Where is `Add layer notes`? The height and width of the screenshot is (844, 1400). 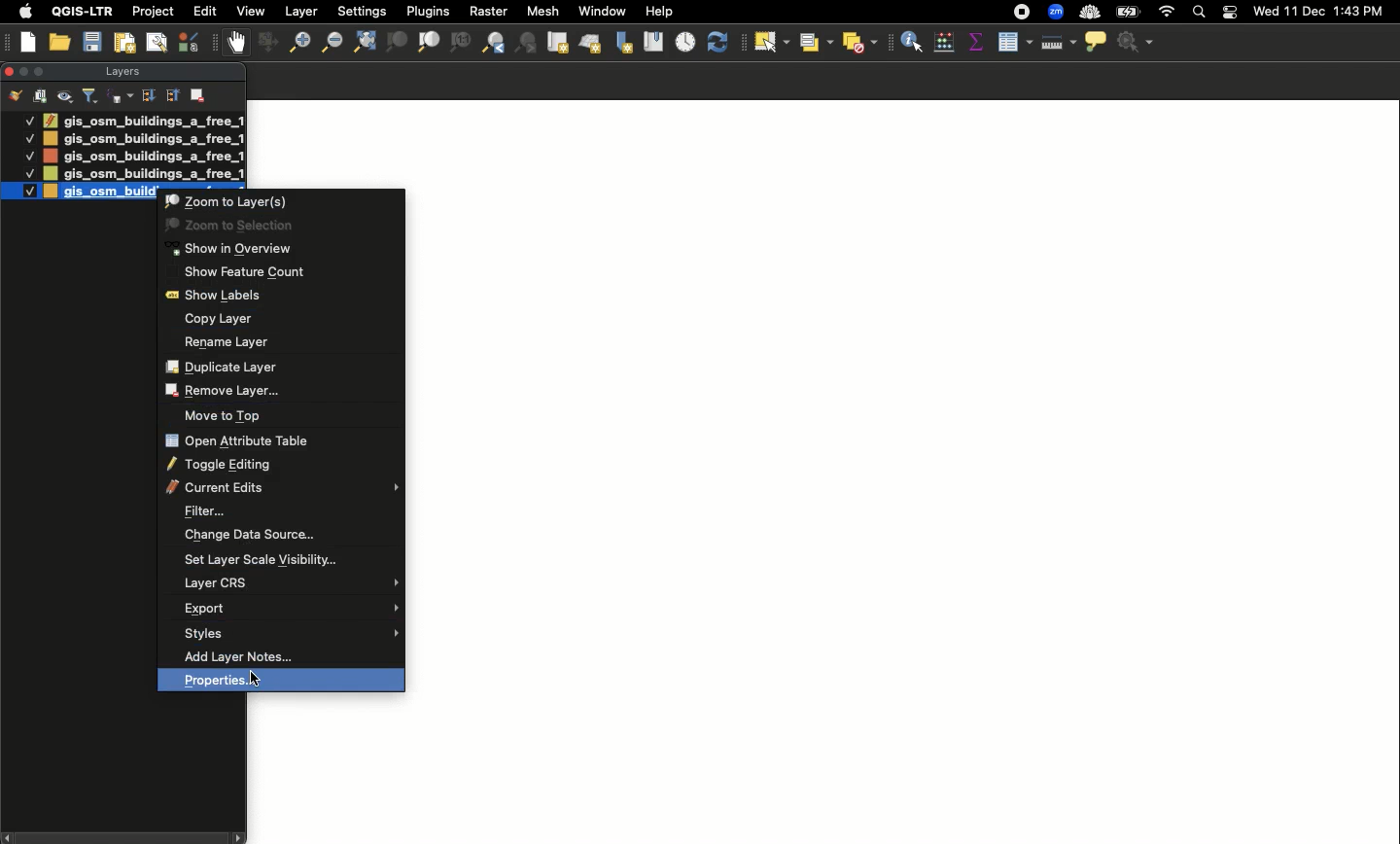 Add layer notes is located at coordinates (289, 654).